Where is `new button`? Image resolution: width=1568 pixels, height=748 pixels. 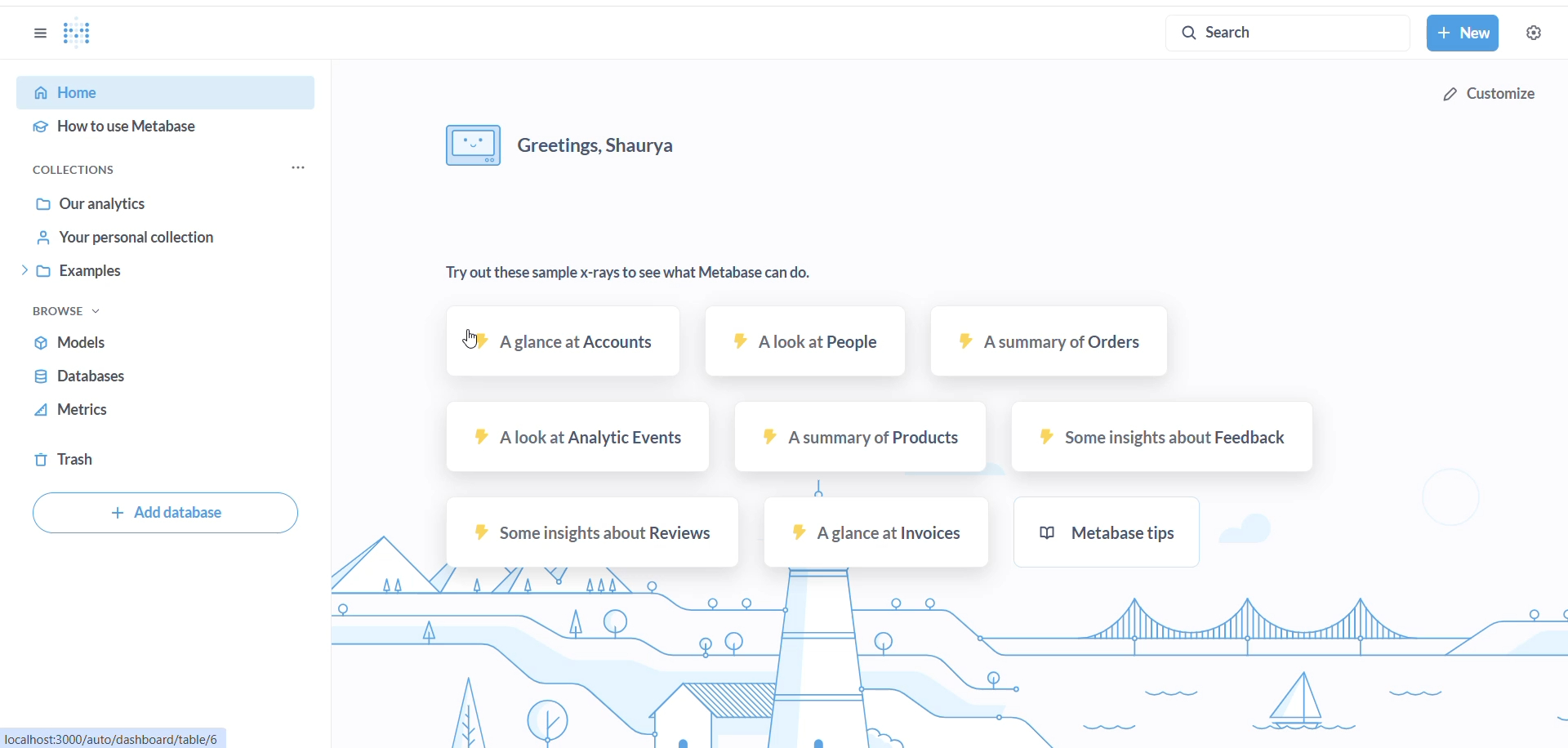
new button is located at coordinates (1461, 33).